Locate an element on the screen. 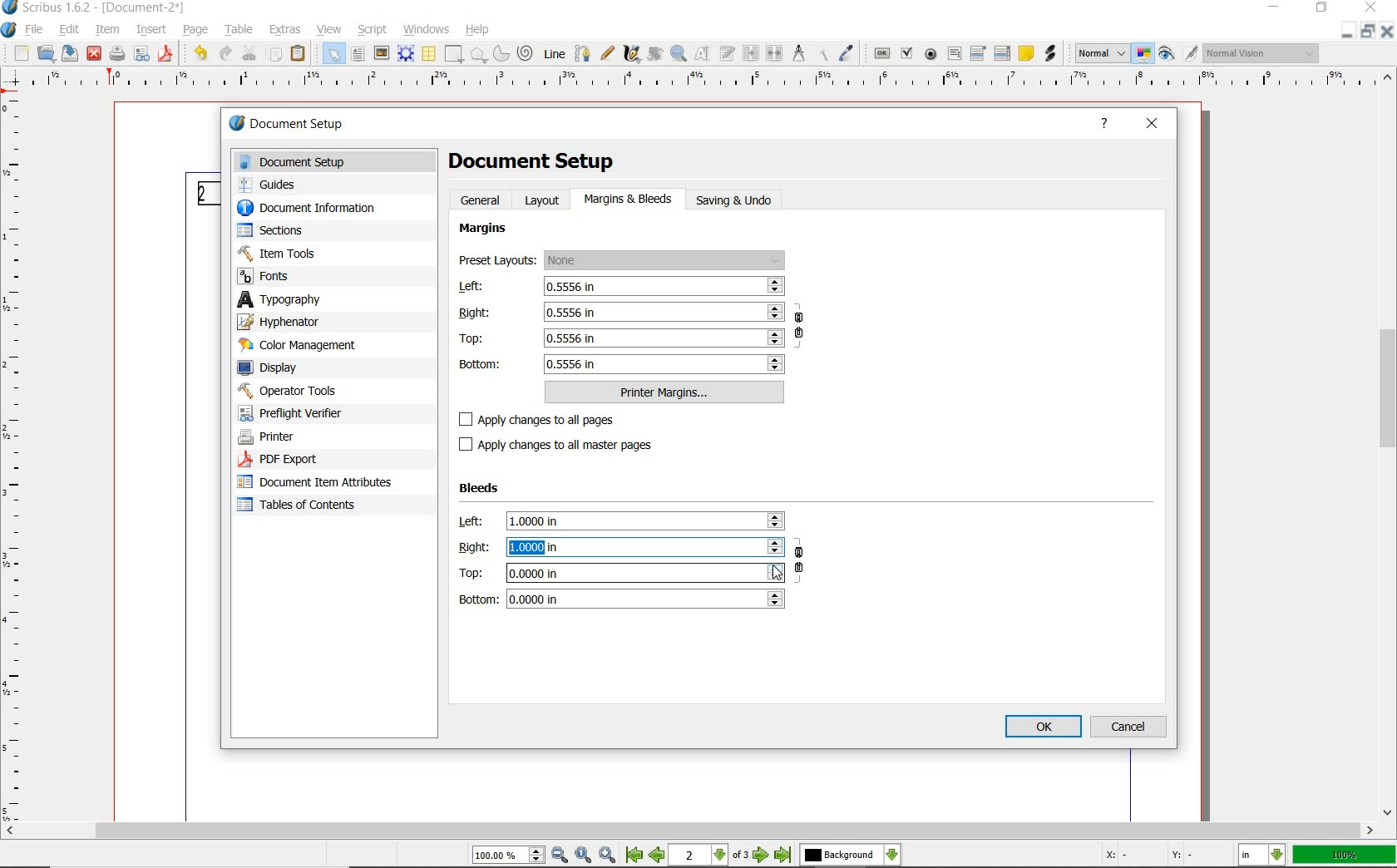  printer margins is located at coordinates (665, 392).